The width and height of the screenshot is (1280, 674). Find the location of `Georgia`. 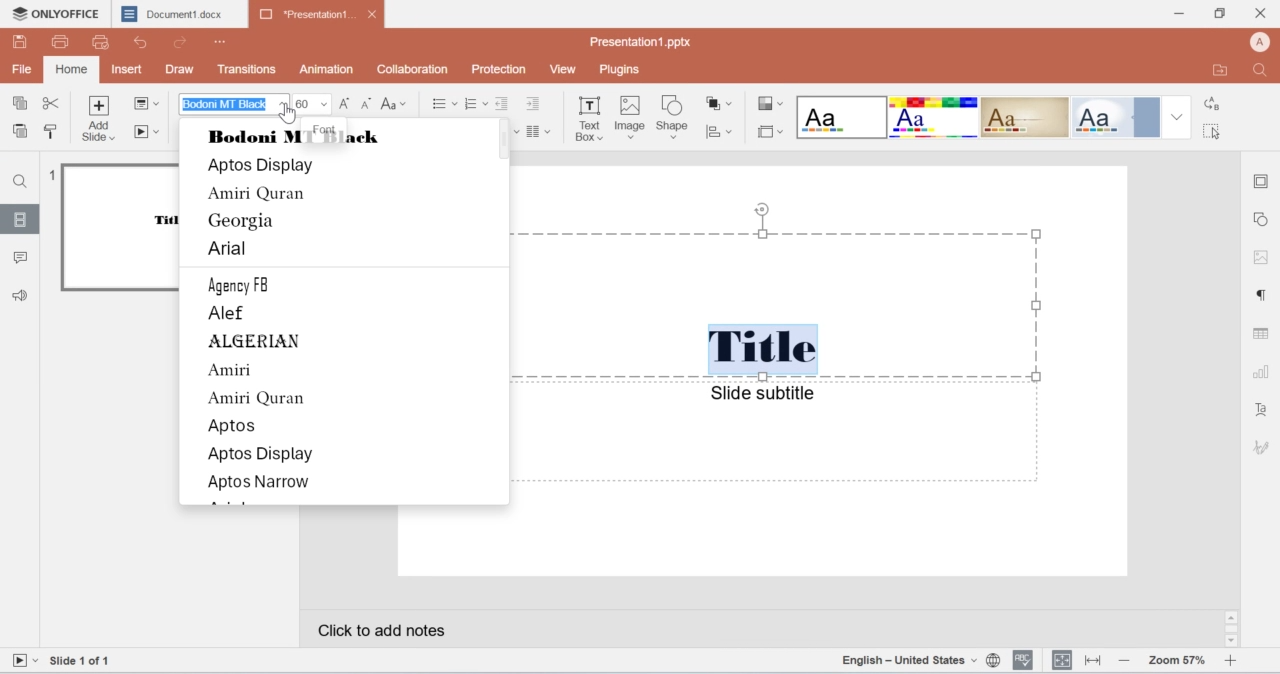

Georgia is located at coordinates (244, 222).